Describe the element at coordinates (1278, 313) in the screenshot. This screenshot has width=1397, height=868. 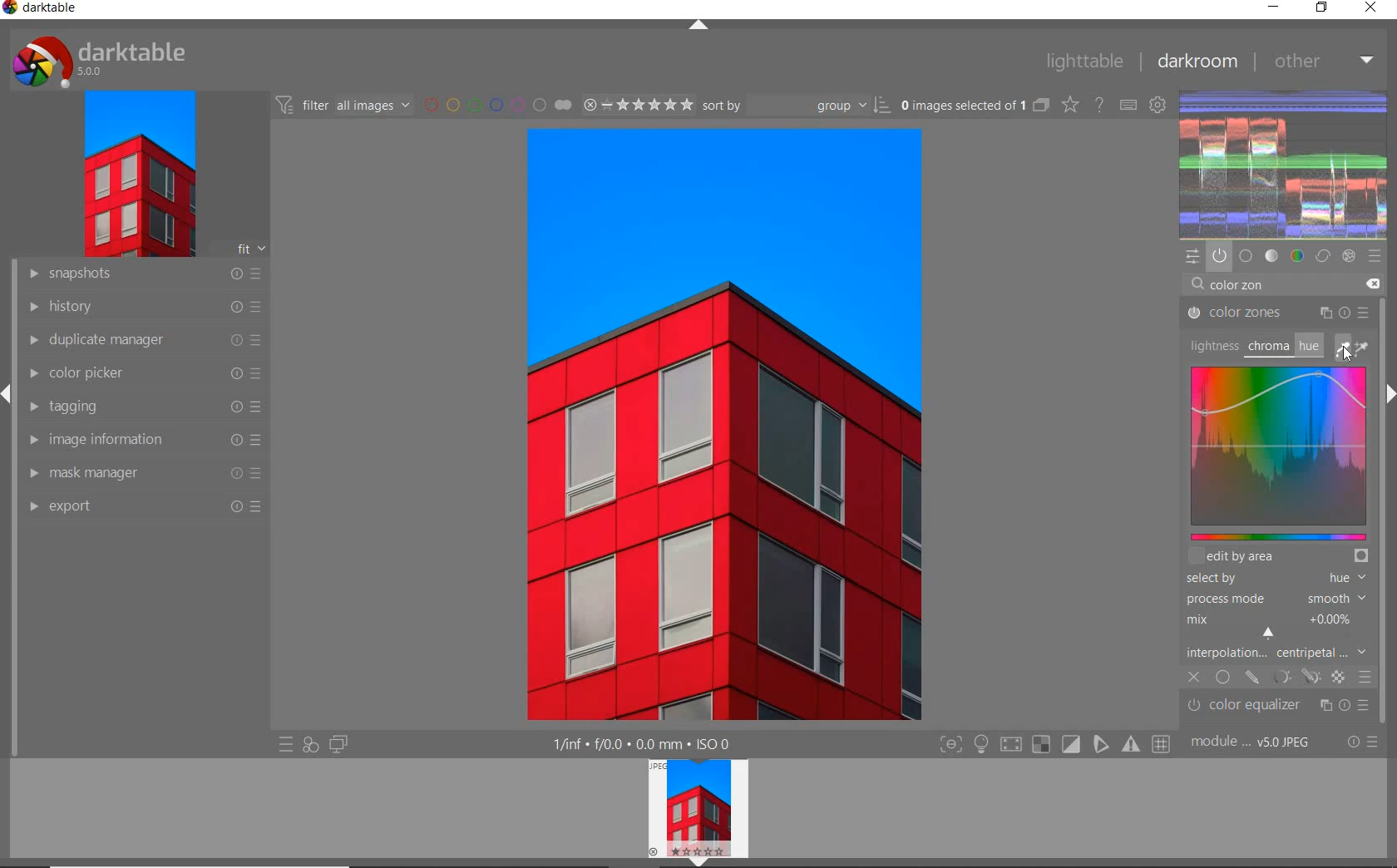
I see `COLOR ZONES` at that location.